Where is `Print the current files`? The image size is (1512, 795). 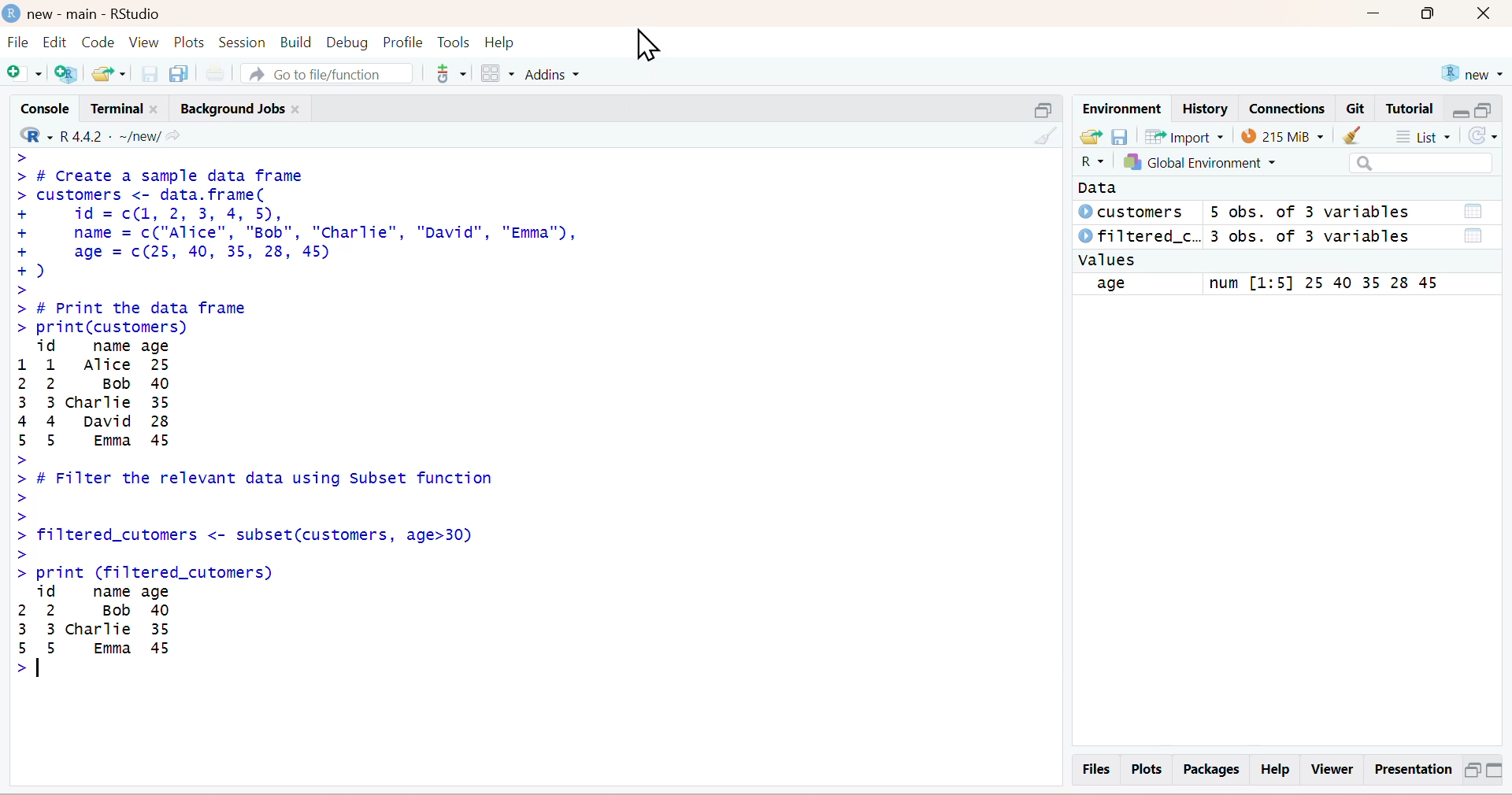
Print the current files is located at coordinates (213, 72).